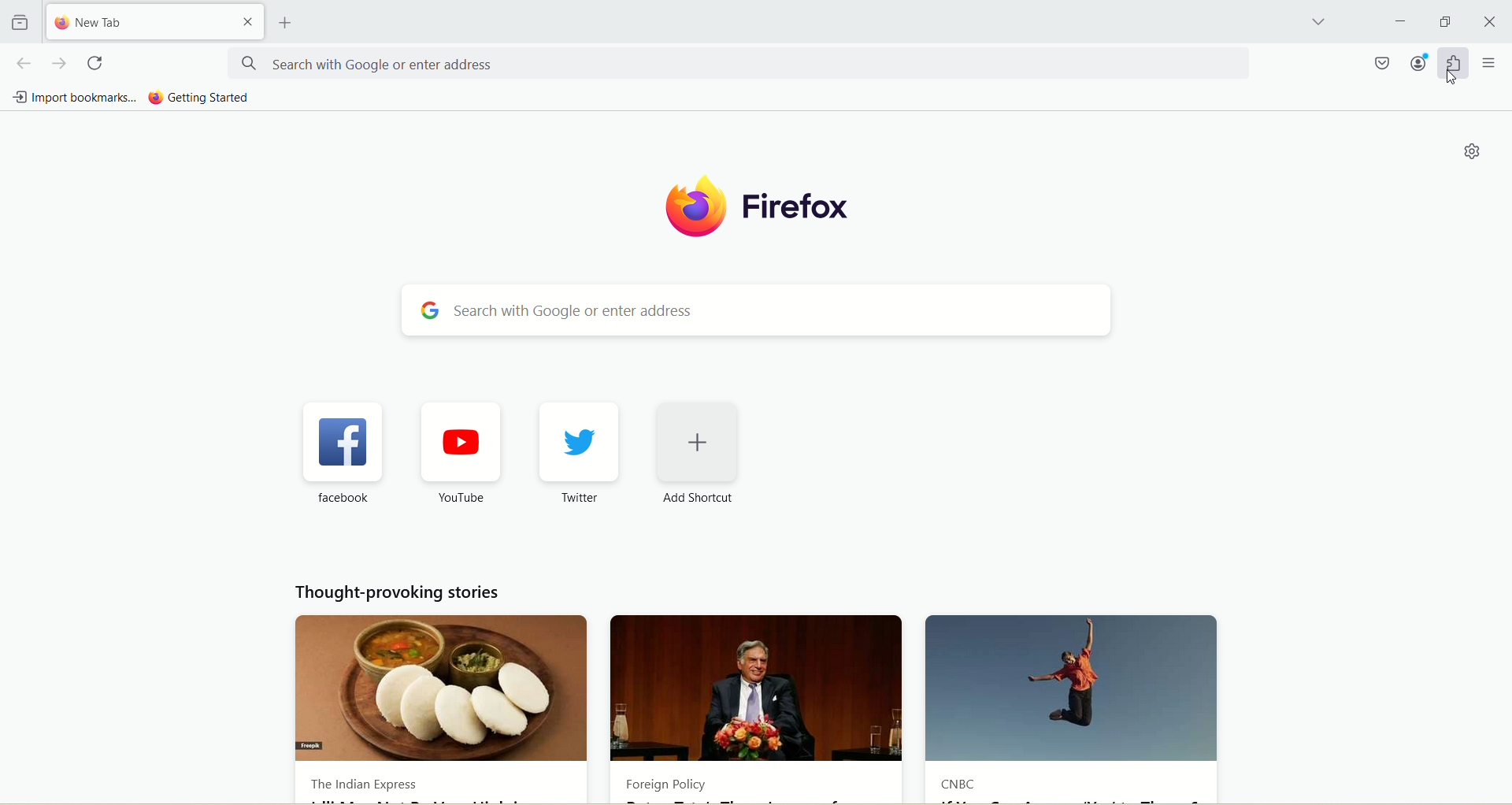 The width and height of the screenshot is (1512, 805). I want to click on Refresh, so click(98, 64).